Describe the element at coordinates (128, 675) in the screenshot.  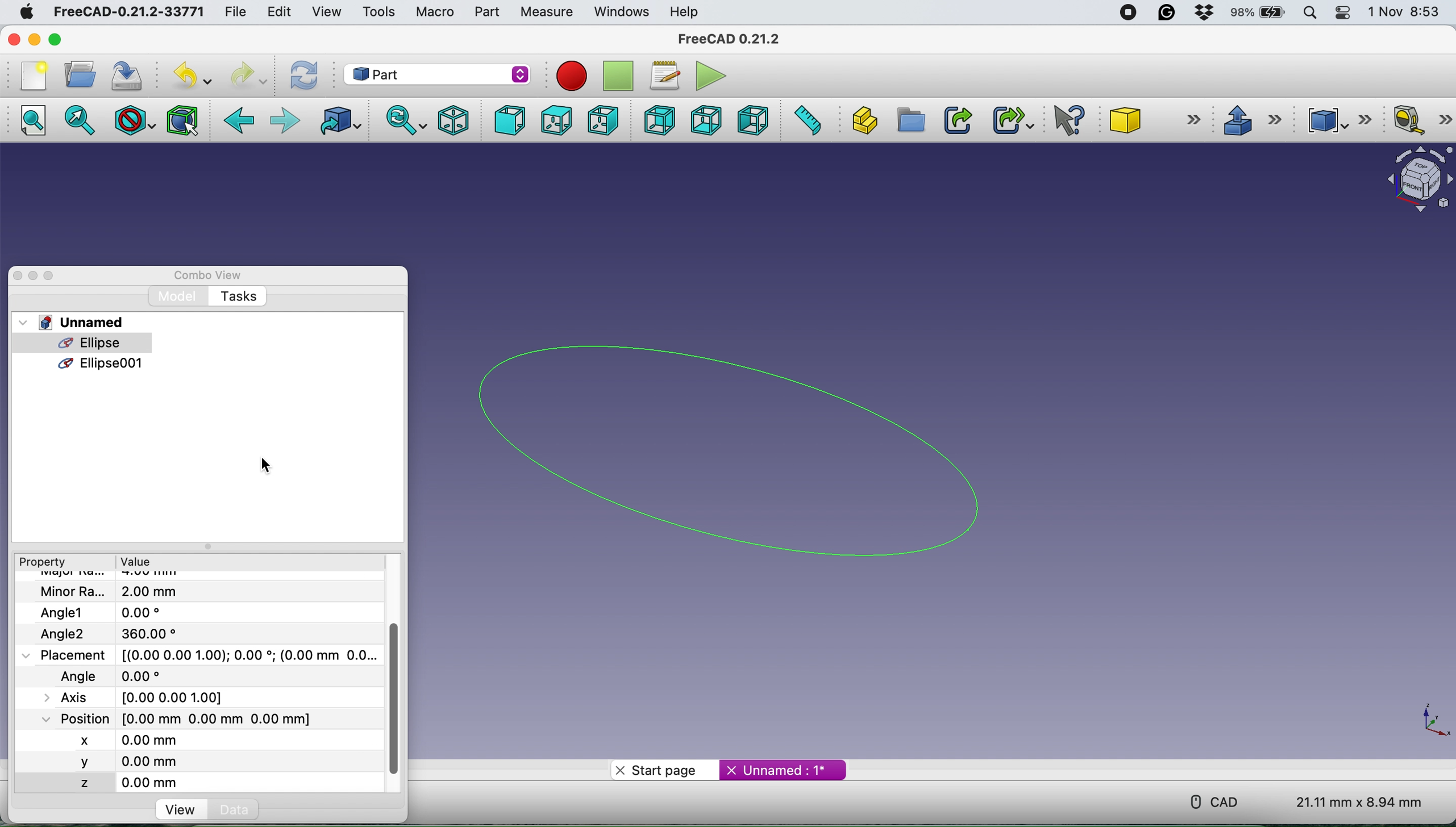
I see `last modified` at that location.